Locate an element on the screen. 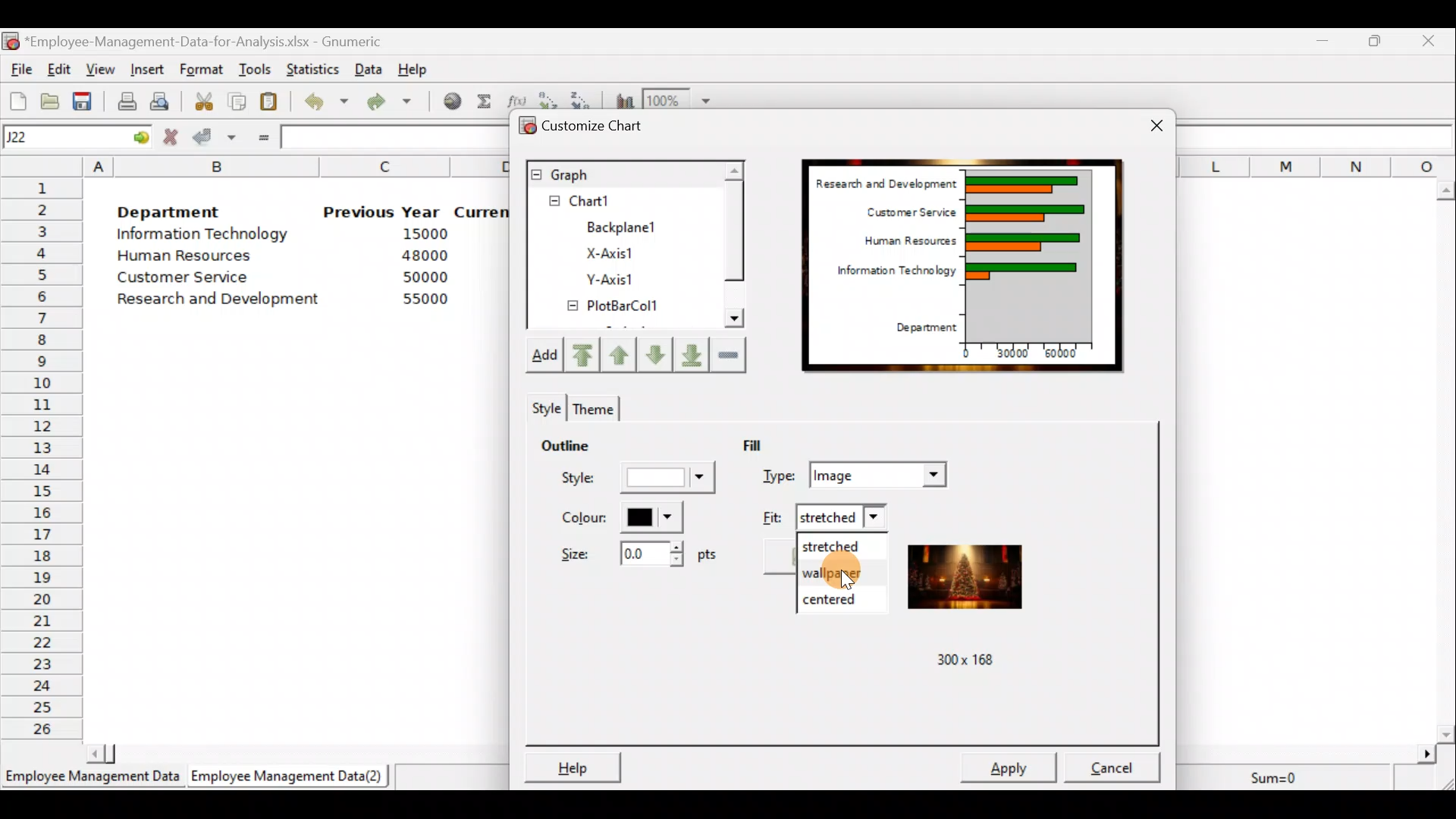 The width and height of the screenshot is (1456, 819). Information Technology is located at coordinates (891, 275).